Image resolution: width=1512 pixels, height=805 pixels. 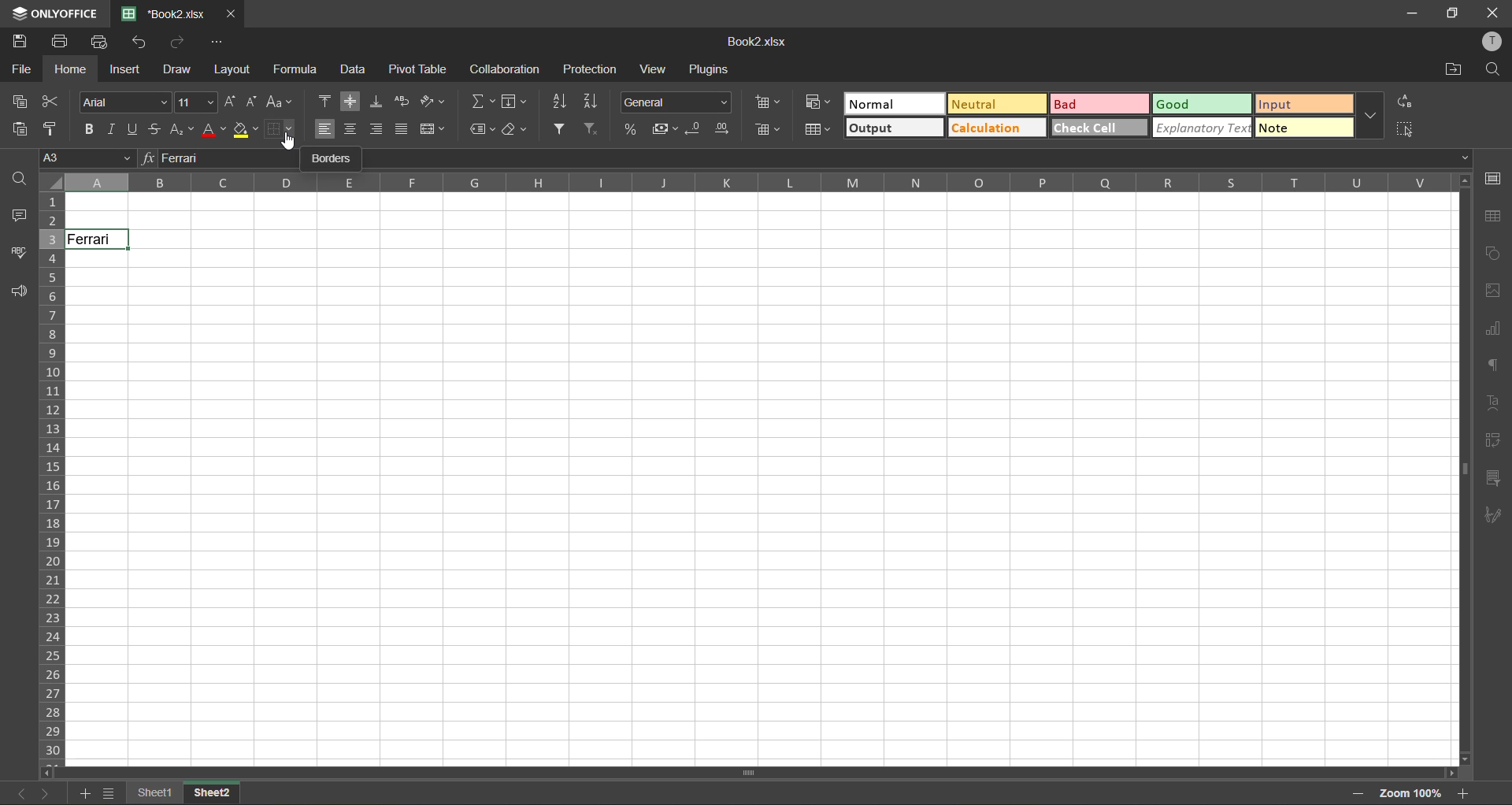 I want to click on calculation, so click(x=996, y=128).